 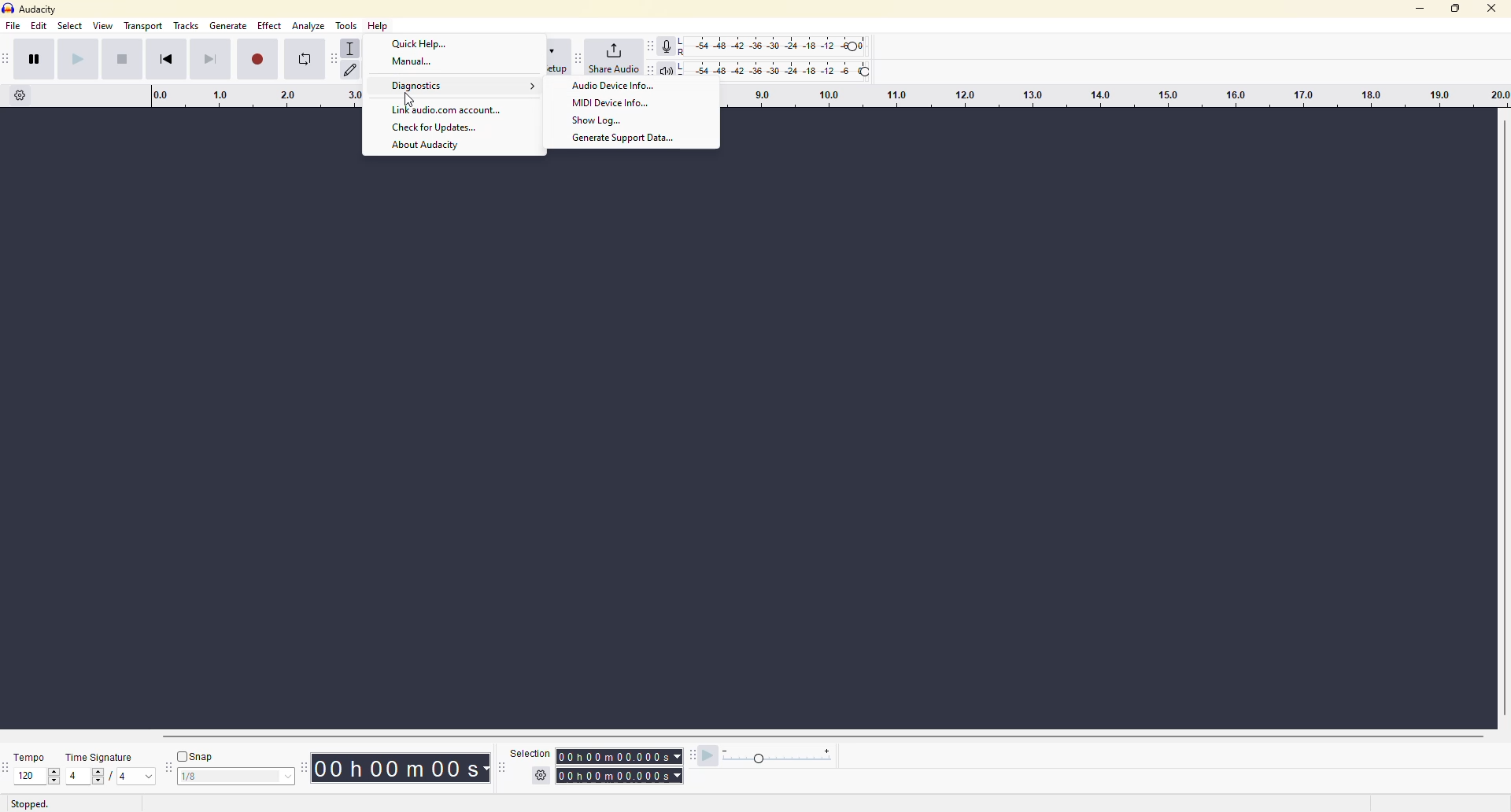 What do you see at coordinates (240, 97) in the screenshot?
I see `click and drag to define a looping region` at bounding box center [240, 97].